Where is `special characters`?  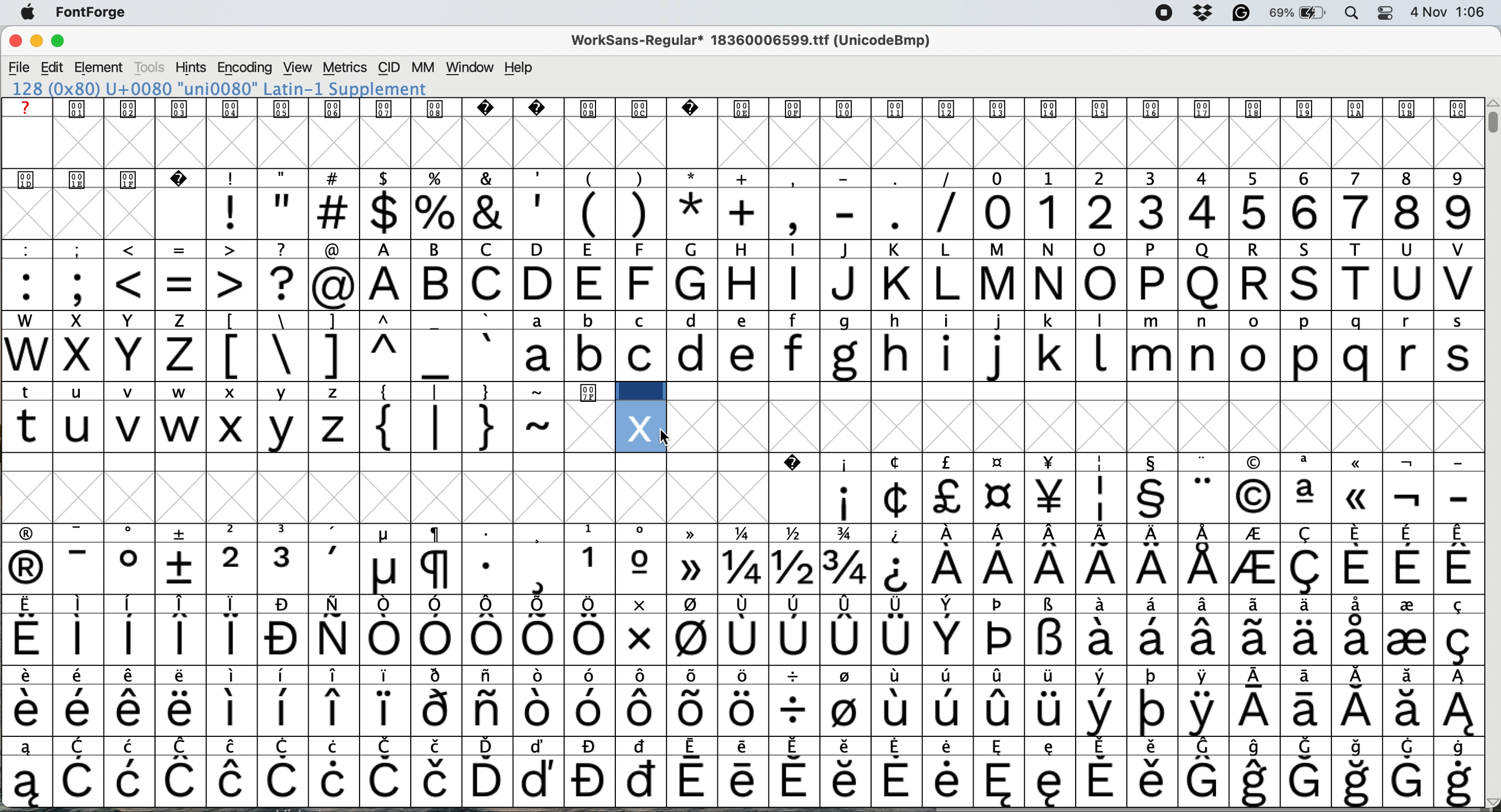
special characters is located at coordinates (737, 710).